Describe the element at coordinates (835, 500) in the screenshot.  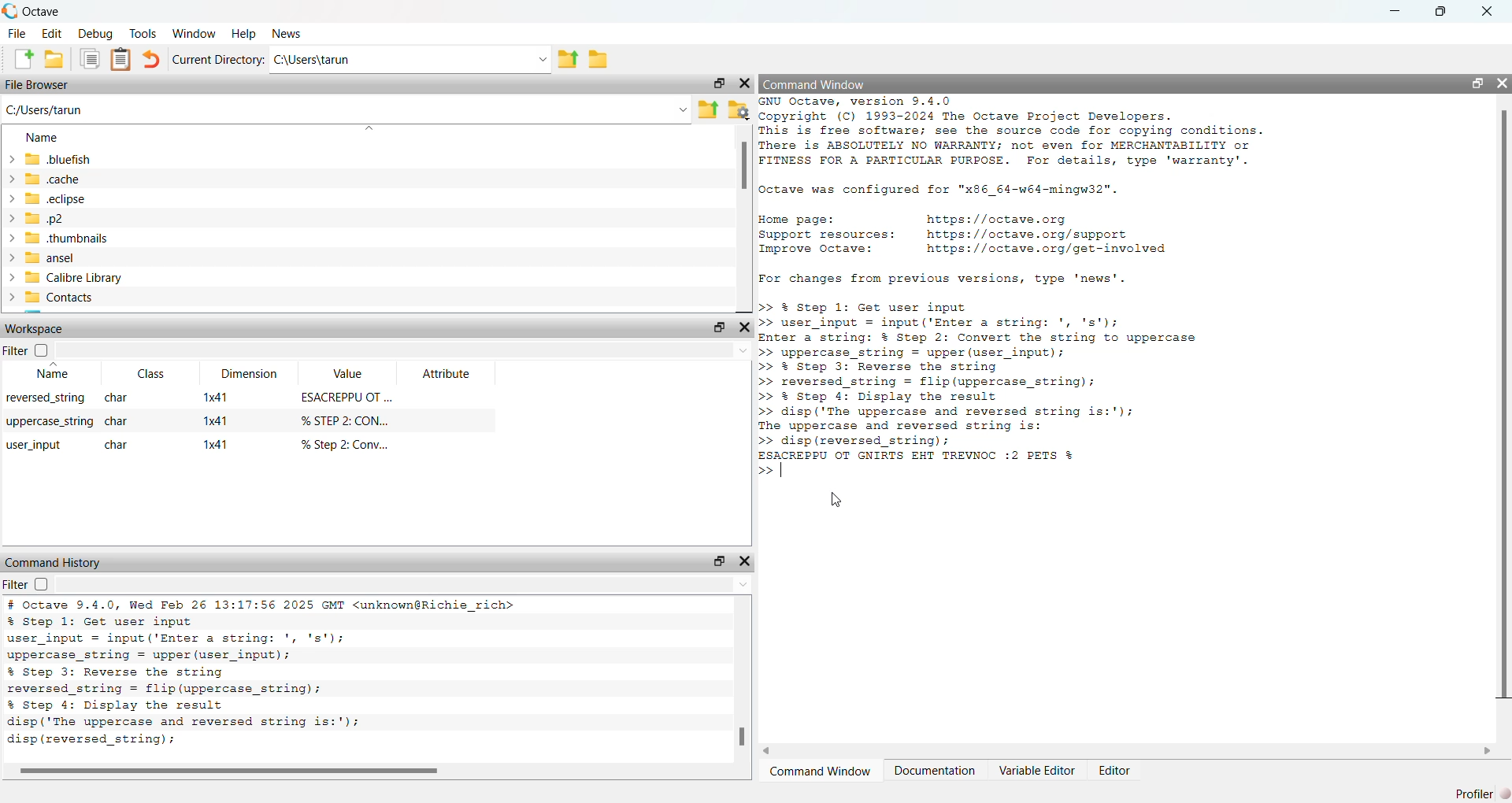
I see `cursor` at that location.